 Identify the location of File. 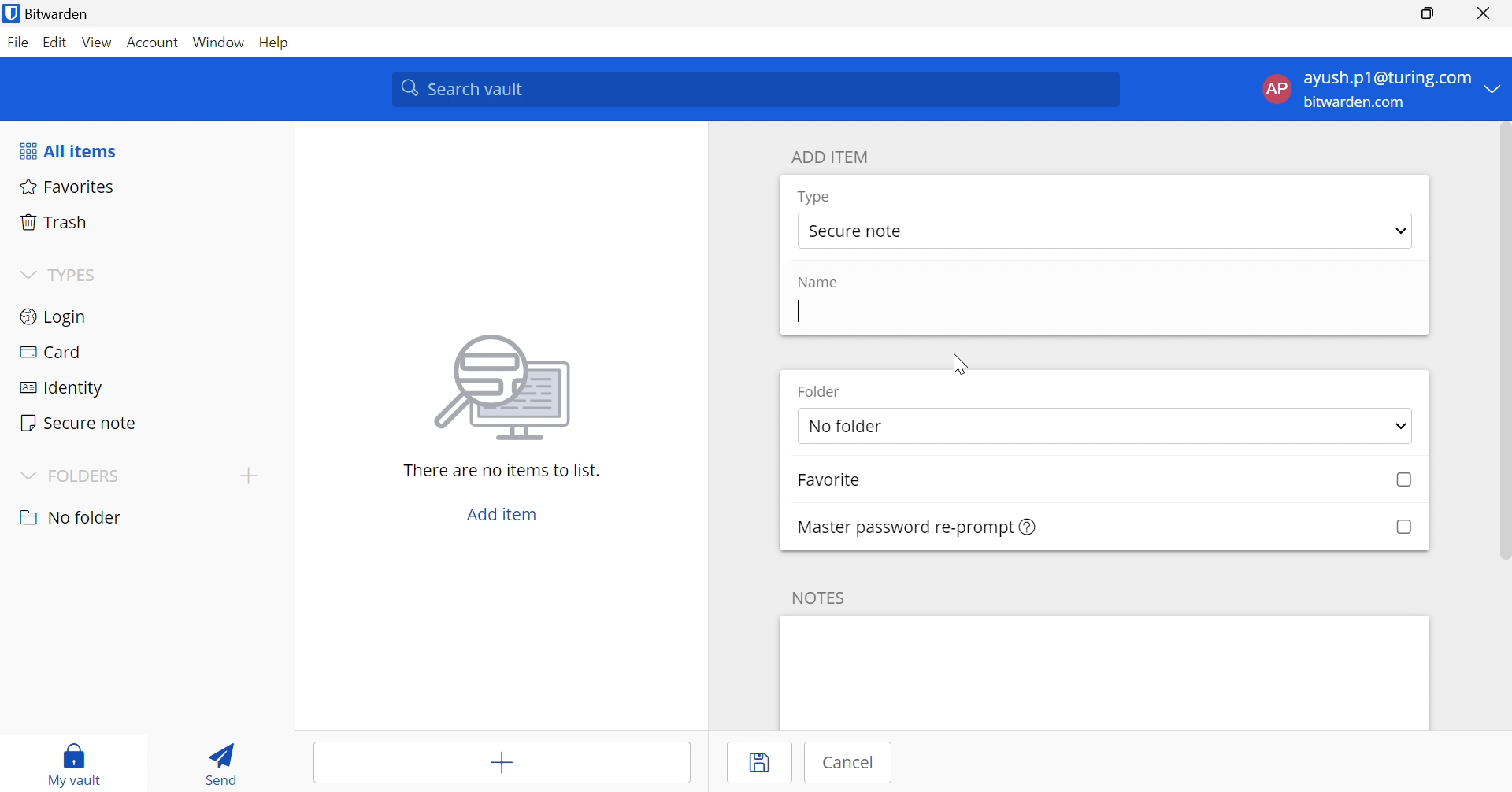
(18, 43).